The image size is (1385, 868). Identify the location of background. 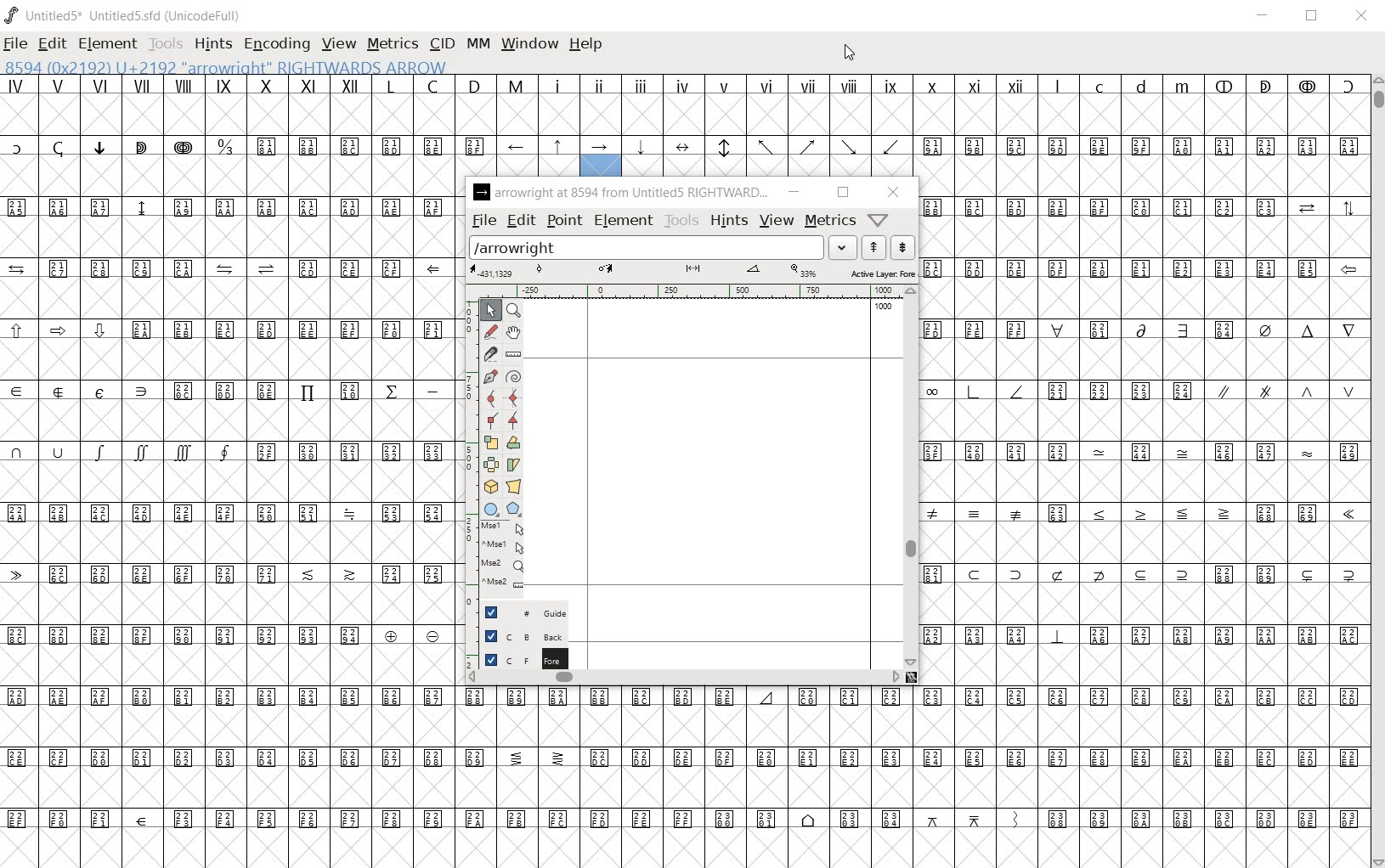
(516, 635).